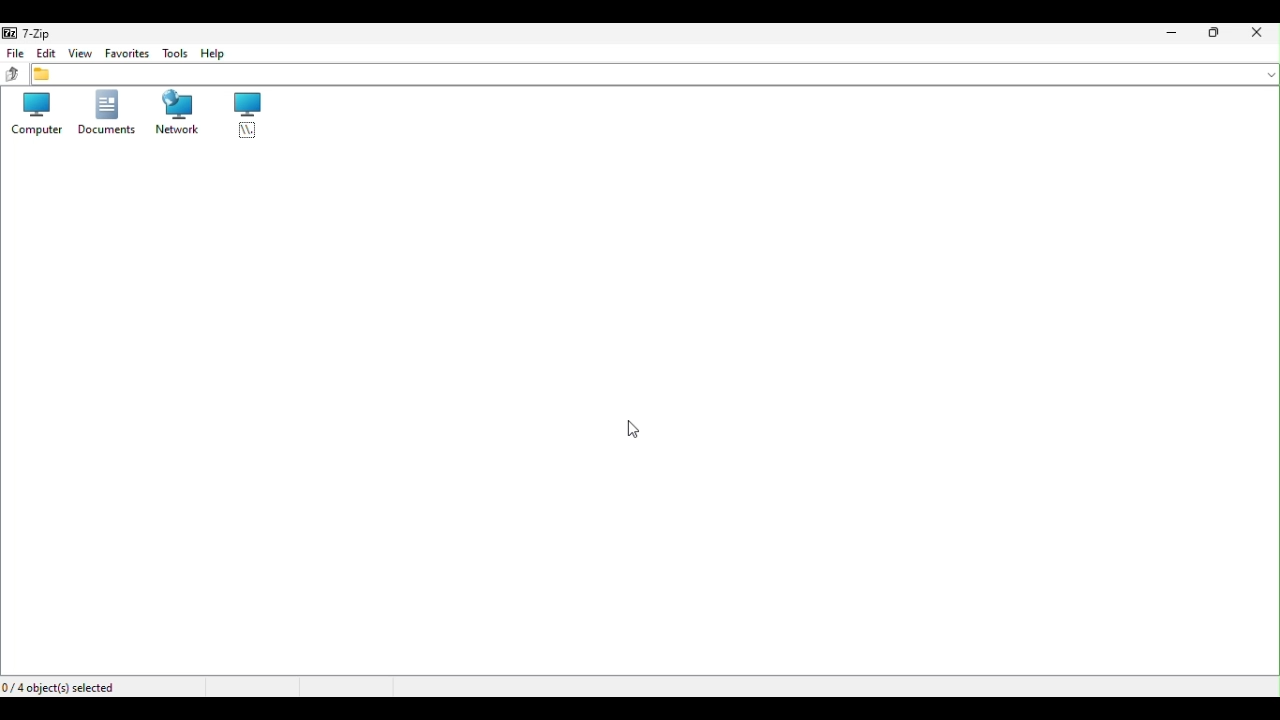 This screenshot has height=720, width=1280. I want to click on network, so click(172, 114).